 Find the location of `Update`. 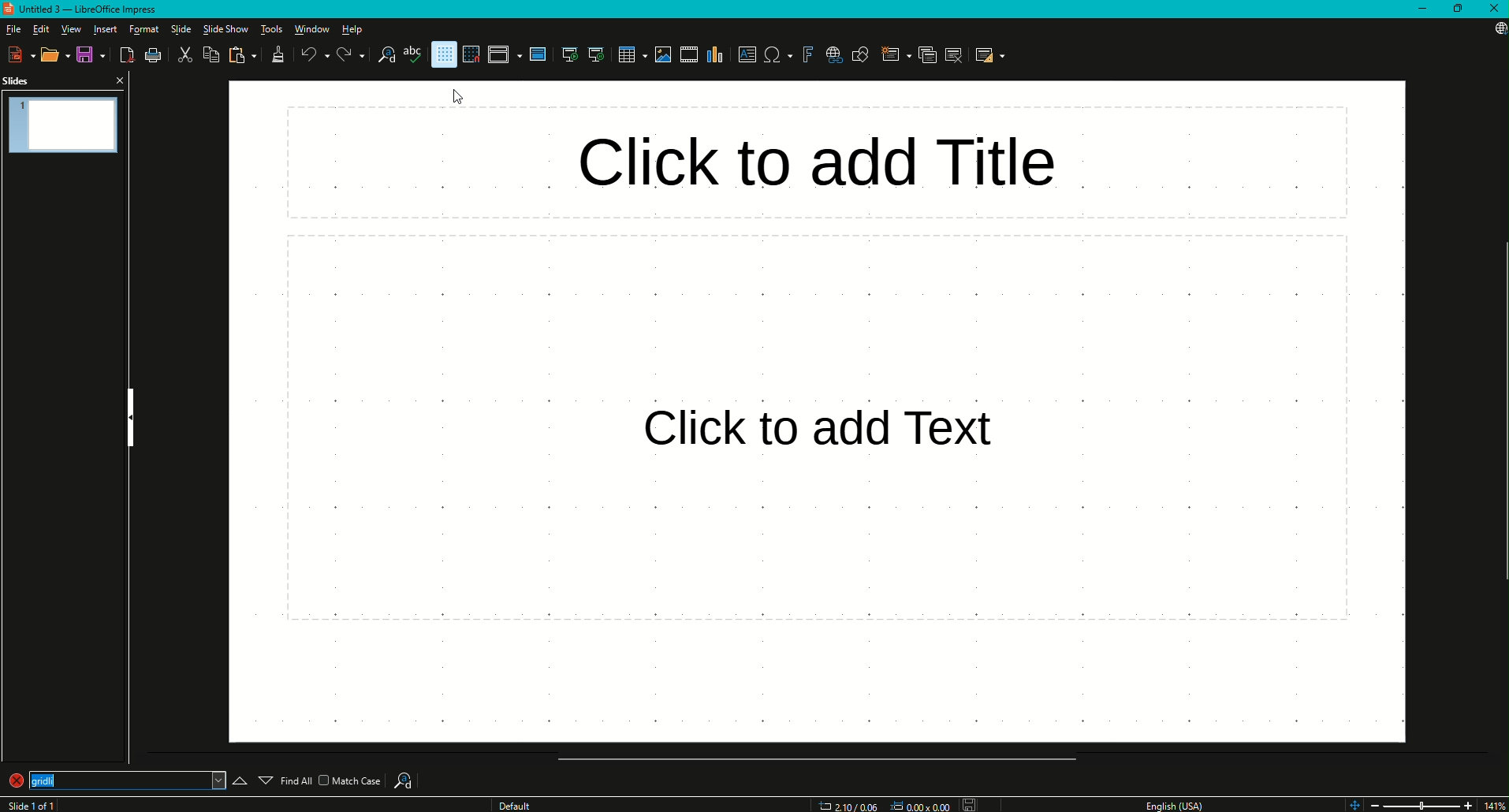

Update is located at coordinates (1495, 35).